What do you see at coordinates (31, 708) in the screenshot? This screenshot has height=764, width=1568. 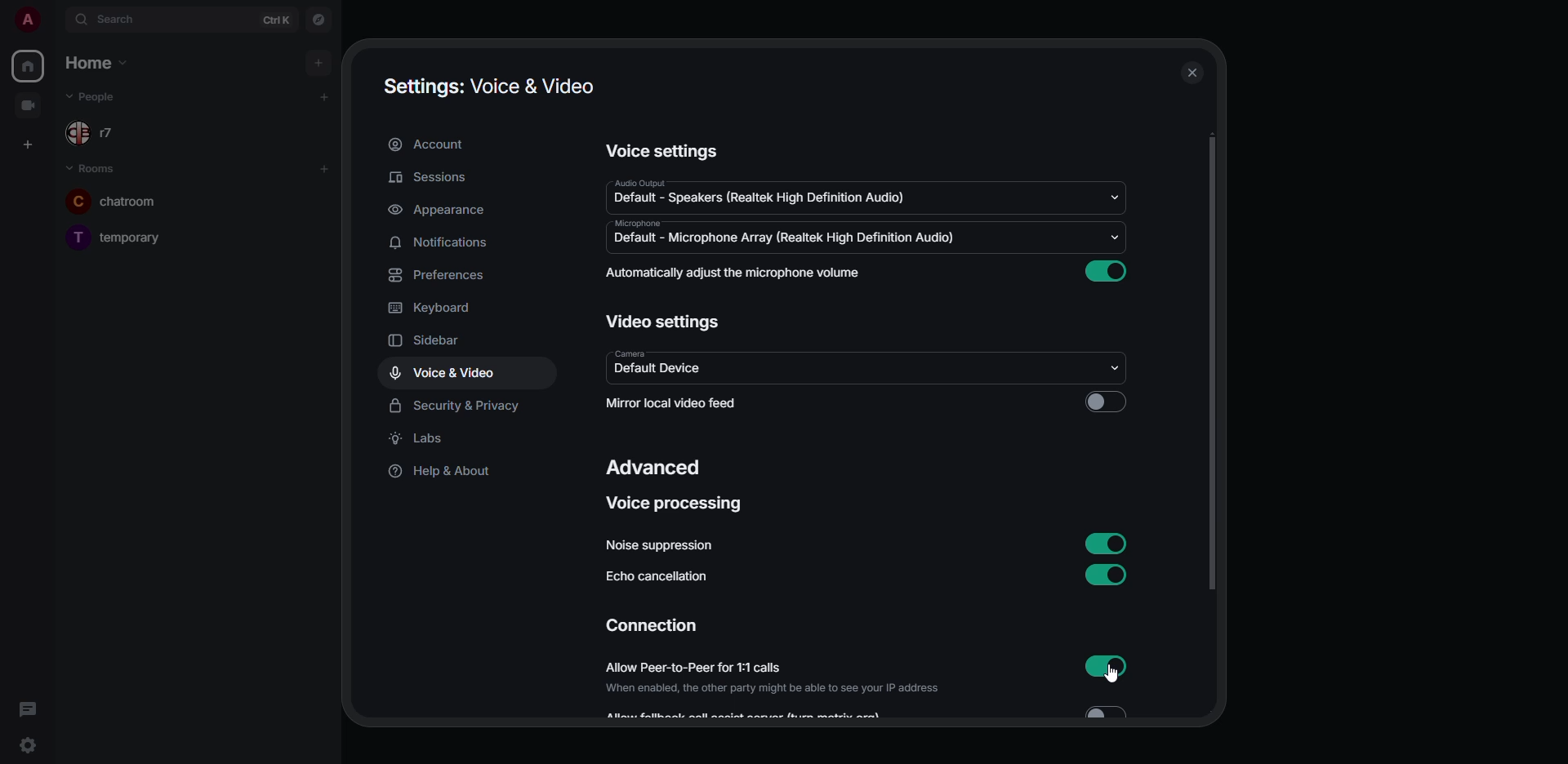 I see `threads` at bounding box center [31, 708].